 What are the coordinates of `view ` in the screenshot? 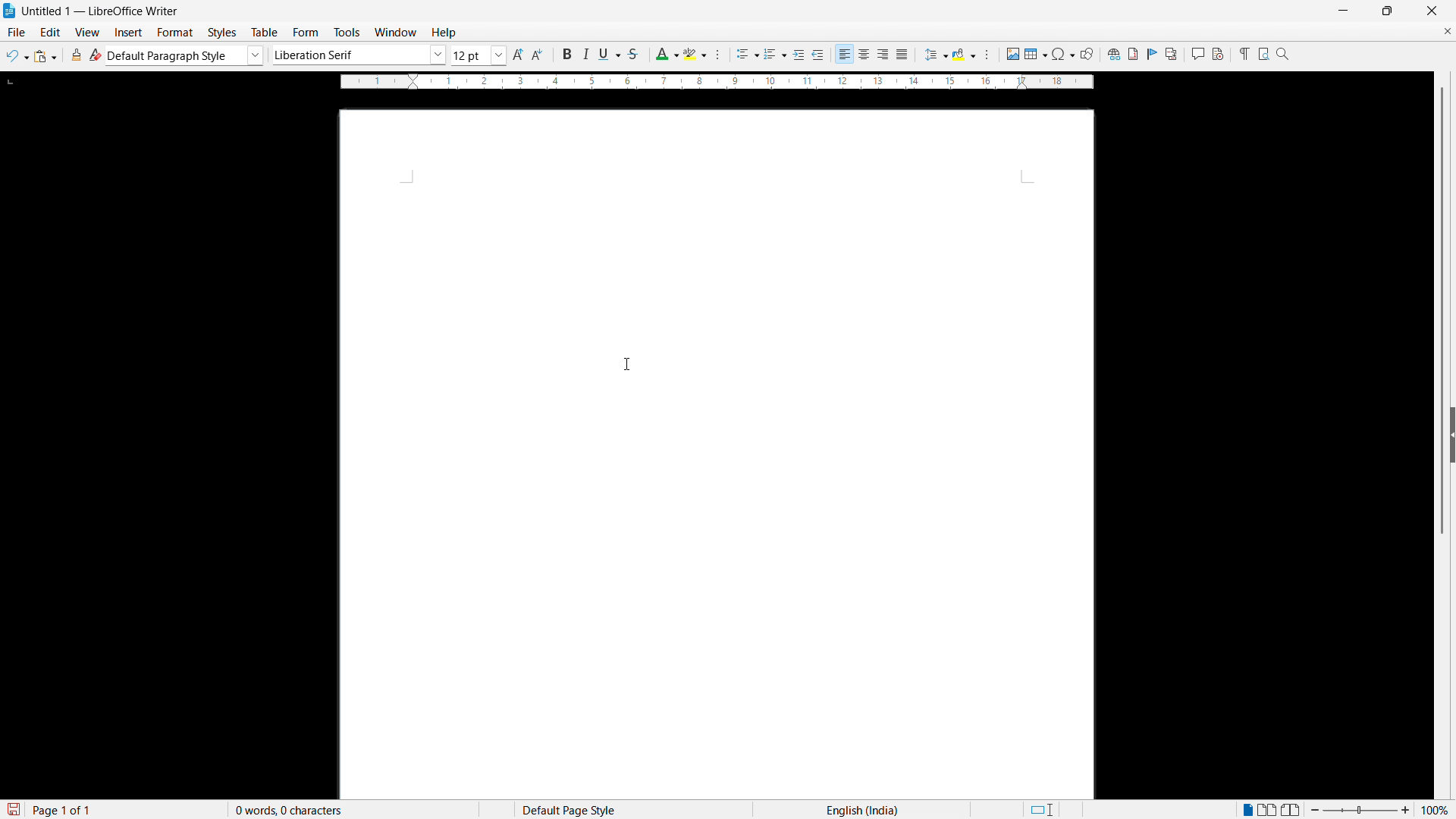 It's located at (88, 33).